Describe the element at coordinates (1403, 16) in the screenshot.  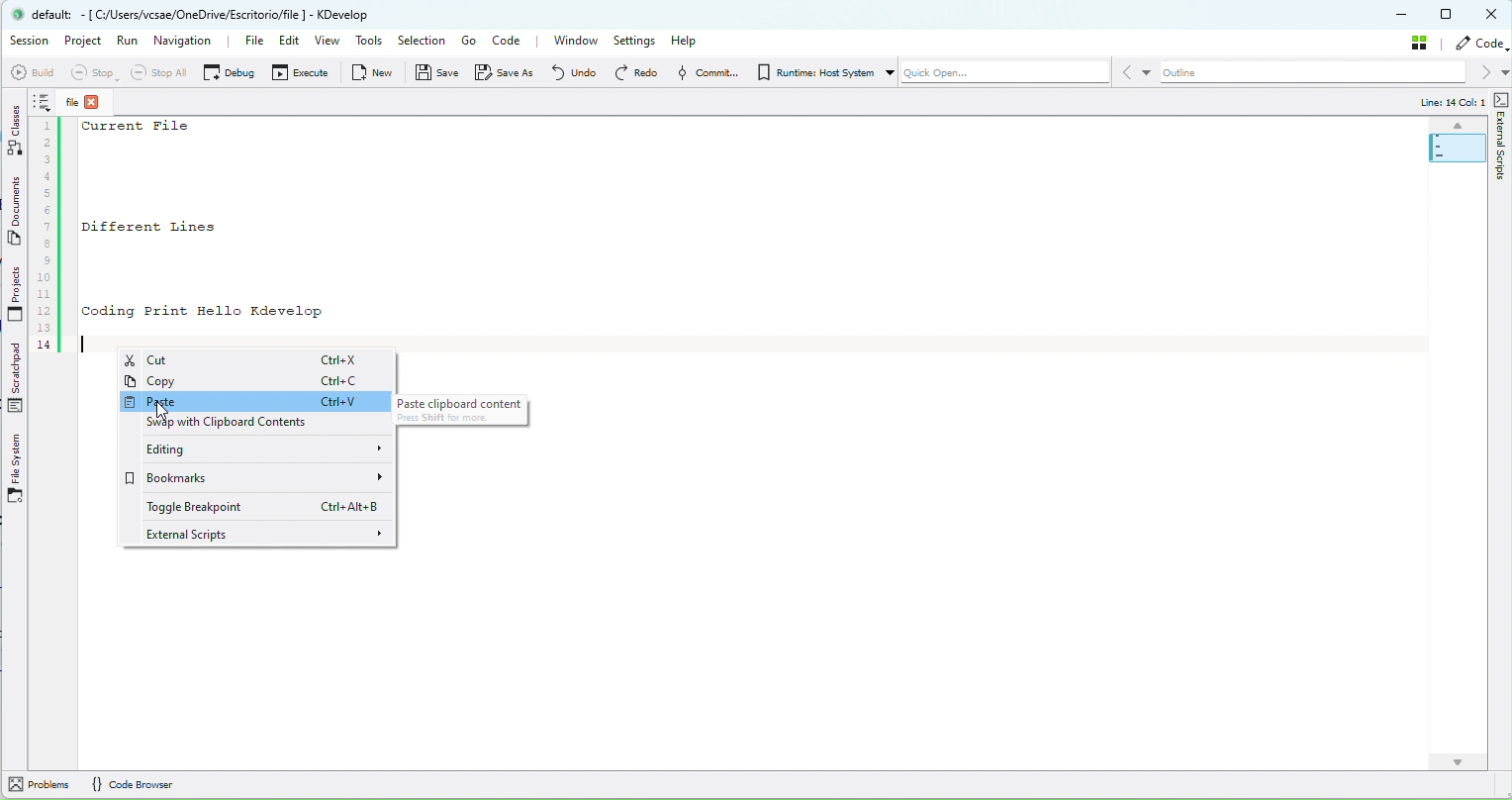
I see `Minimize` at that location.